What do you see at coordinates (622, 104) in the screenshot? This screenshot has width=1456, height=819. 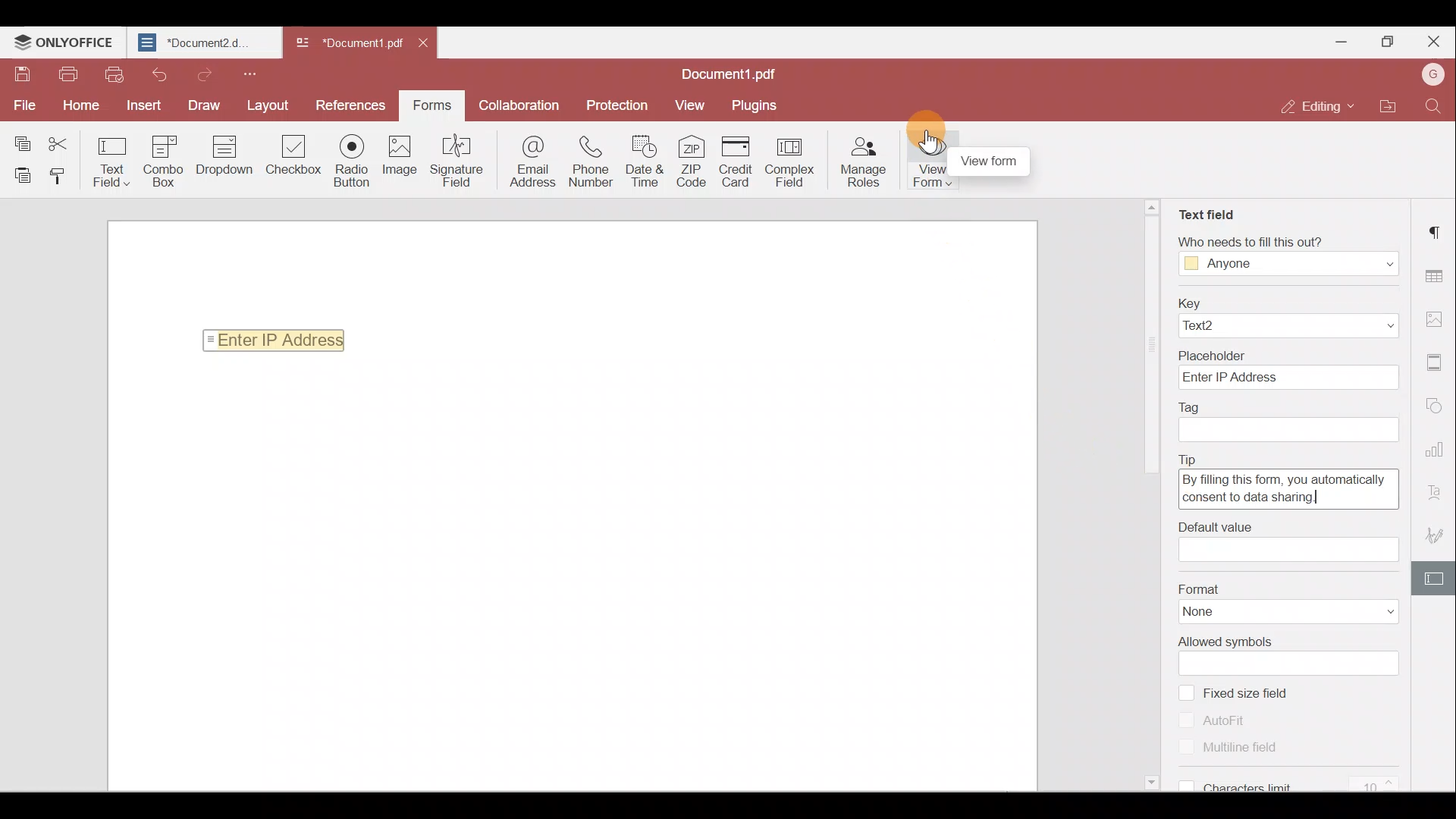 I see `Protection` at bounding box center [622, 104].